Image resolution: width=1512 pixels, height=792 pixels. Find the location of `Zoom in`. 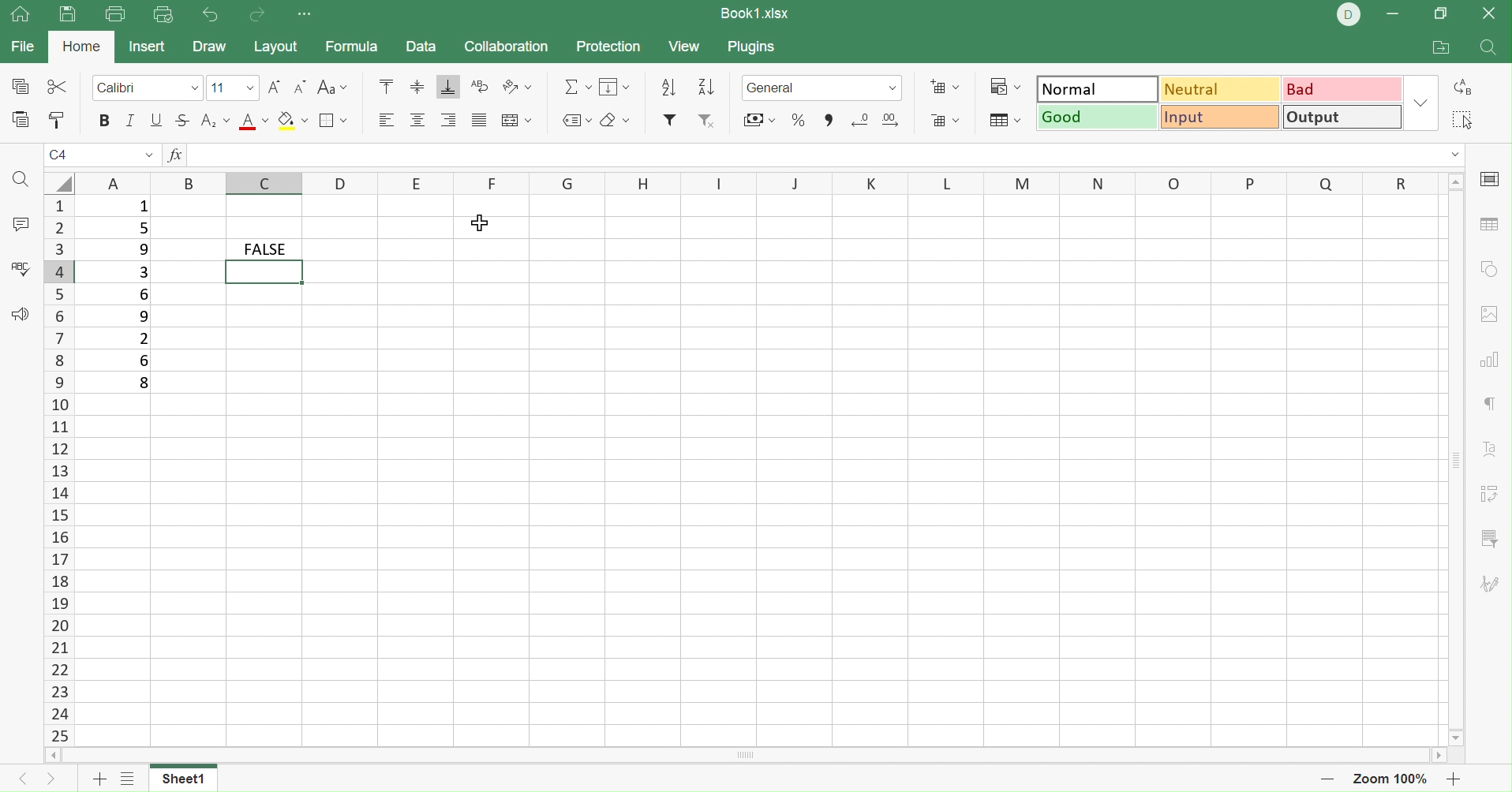

Zoom in is located at coordinates (1458, 779).